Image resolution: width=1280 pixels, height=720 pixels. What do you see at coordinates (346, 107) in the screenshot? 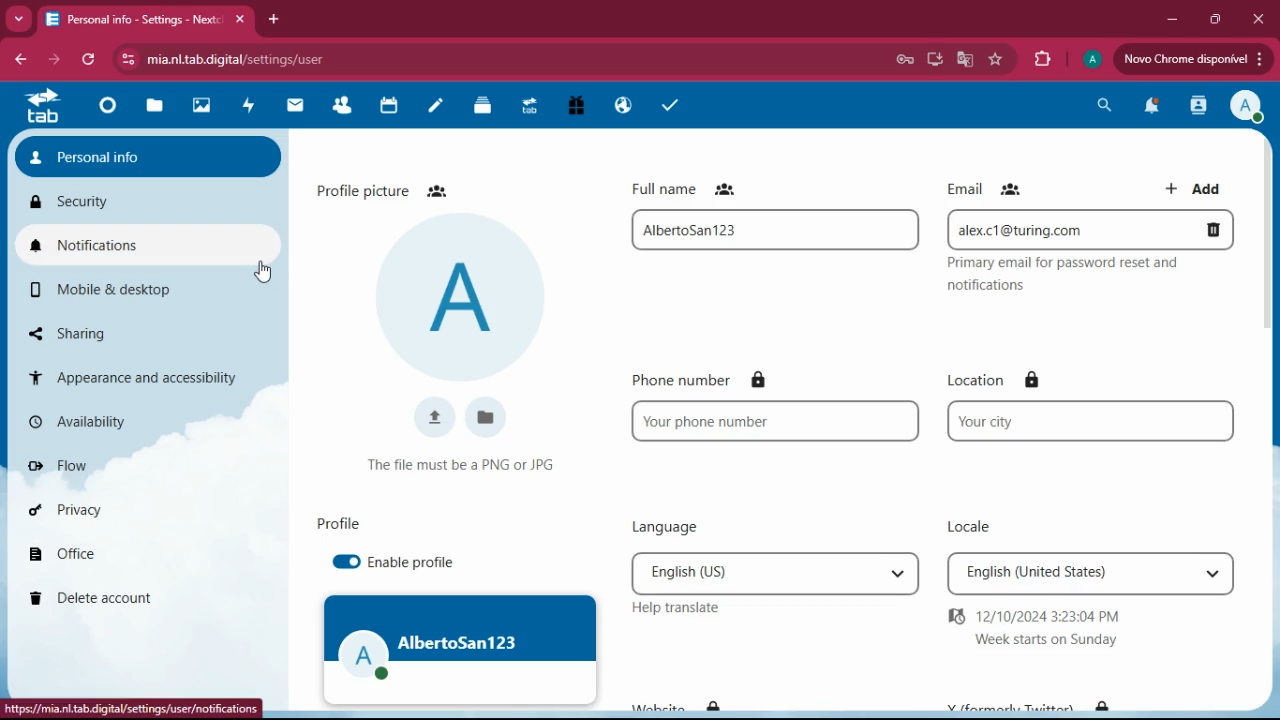
I see `friends` at bounding box center [346, 107].